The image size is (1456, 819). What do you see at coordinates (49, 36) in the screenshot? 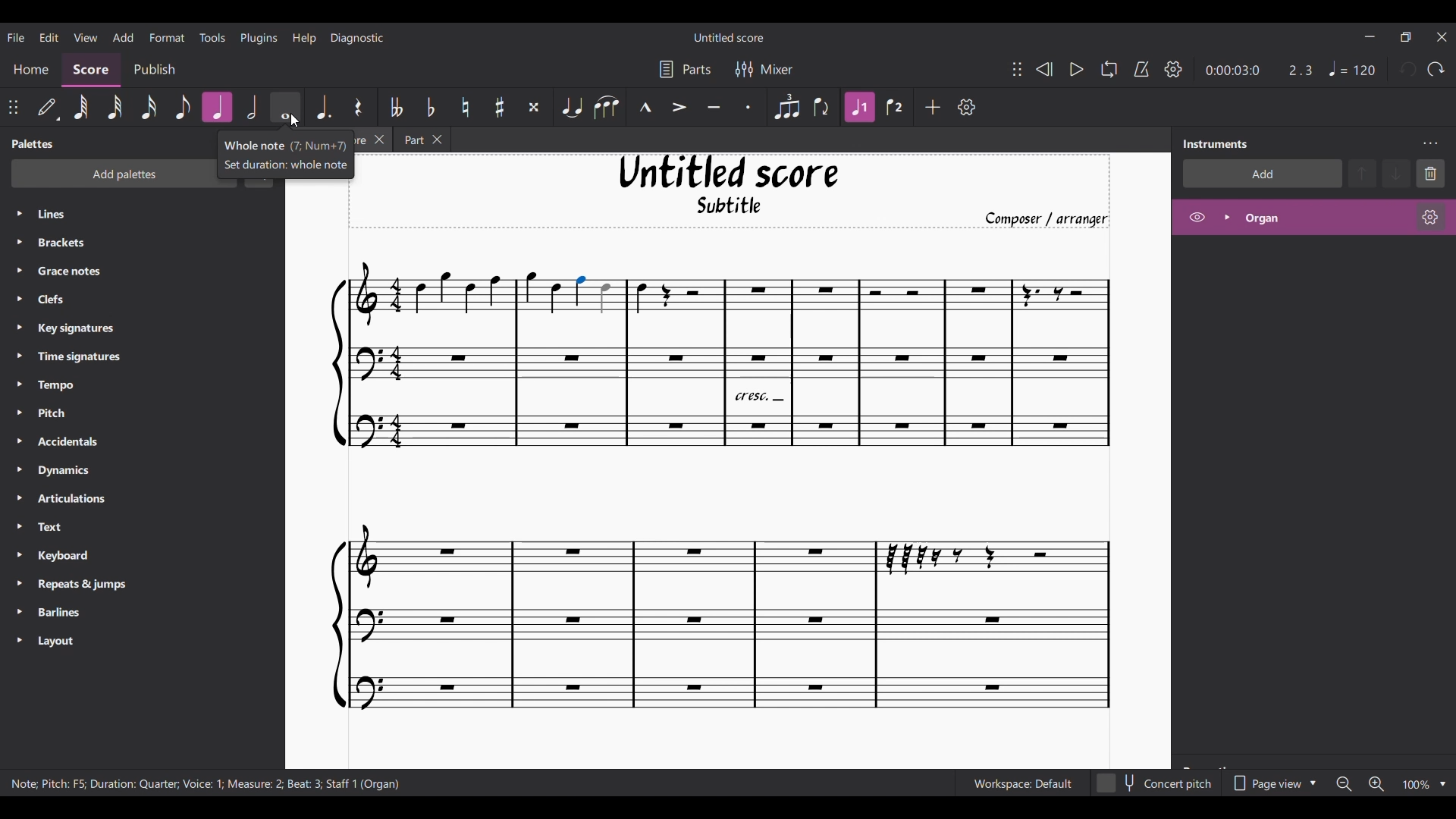
I see `Edit menu` at bounding box center [49, 36].